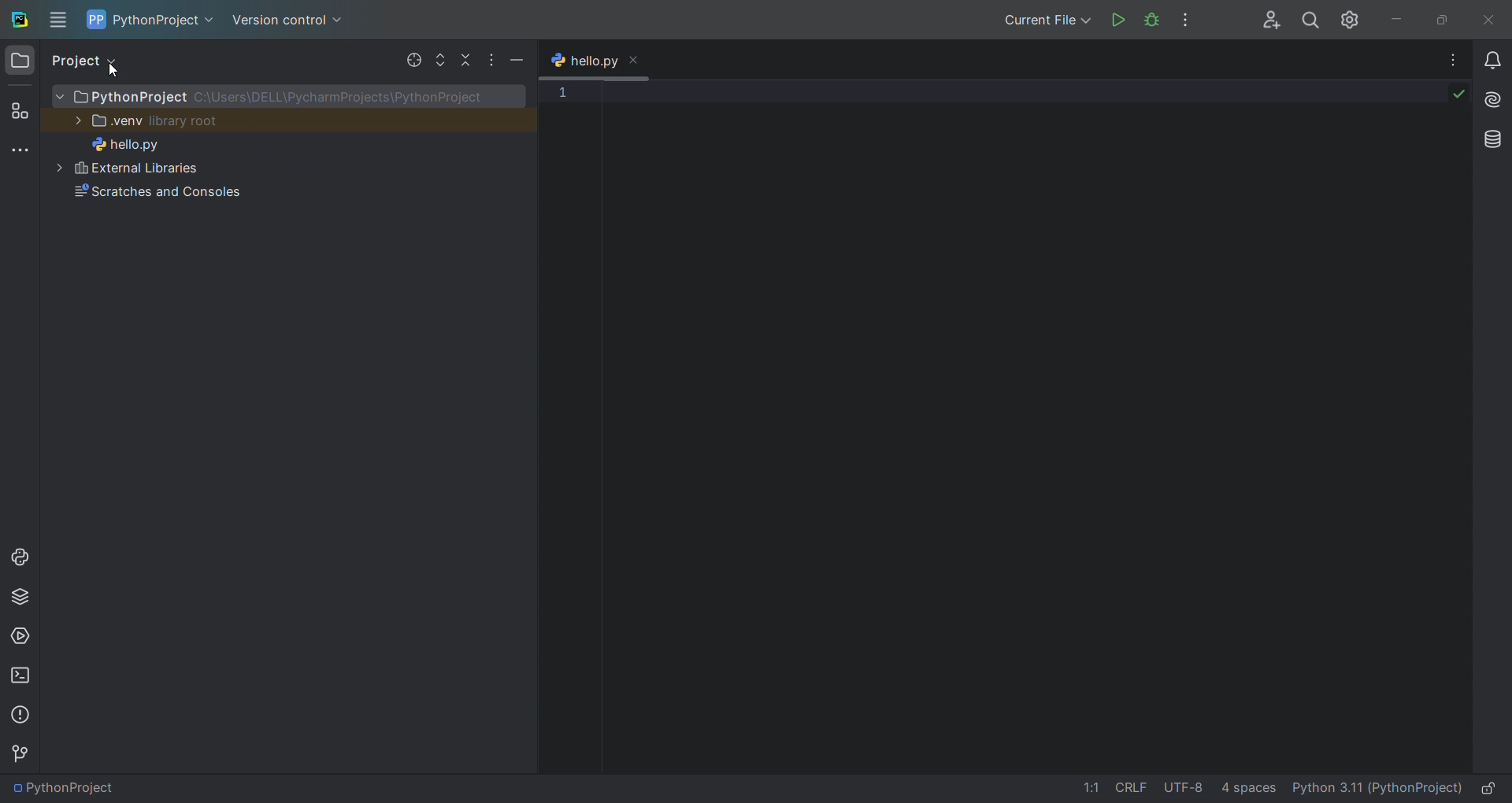 Image resolution: width=1512 pixels, height=803 pixels. Describe the element at coordinates (287, 207) in the screenshot. I see `project file hierrarchy` at that location.